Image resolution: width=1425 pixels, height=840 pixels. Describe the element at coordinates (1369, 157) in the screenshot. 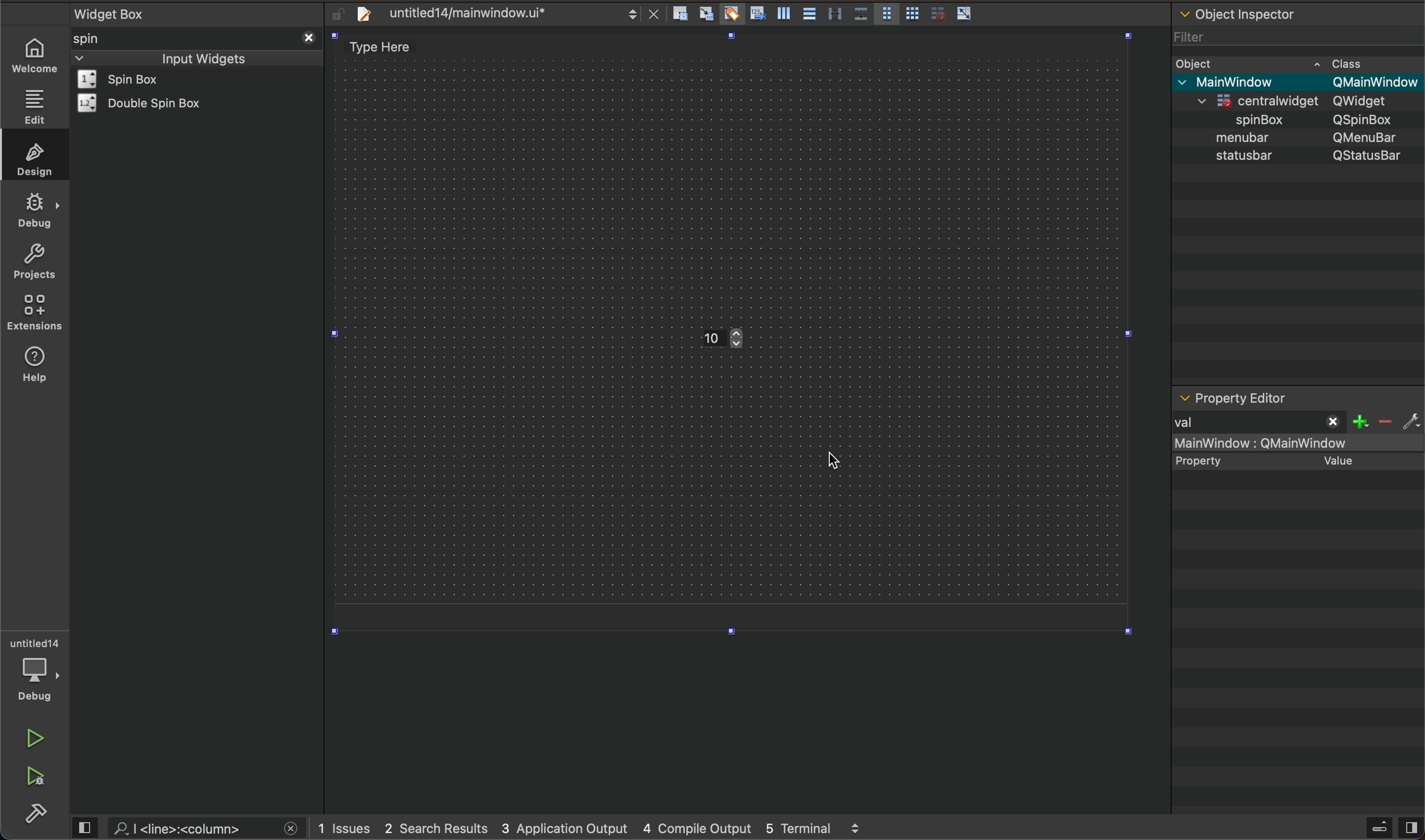

I see `text` at that location.